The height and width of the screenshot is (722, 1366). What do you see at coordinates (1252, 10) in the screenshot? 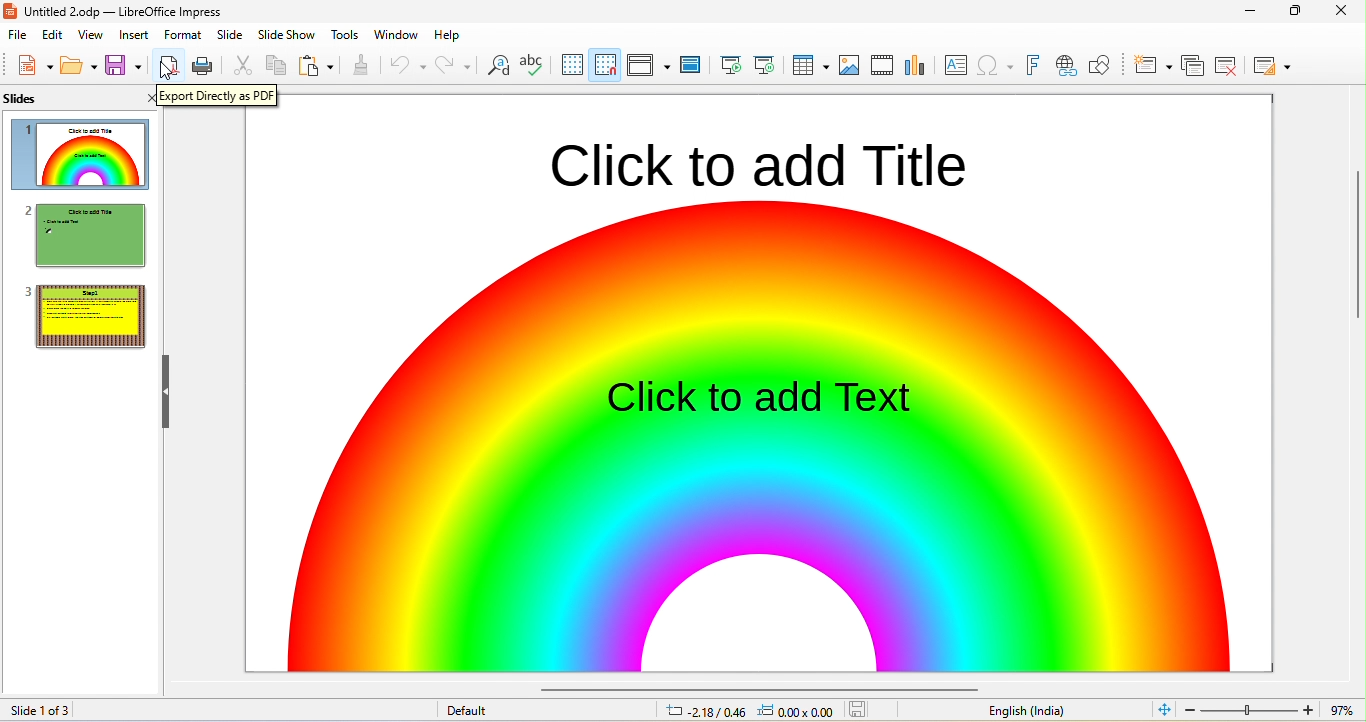
I see `minimize` at bounding box center [1252, 10].